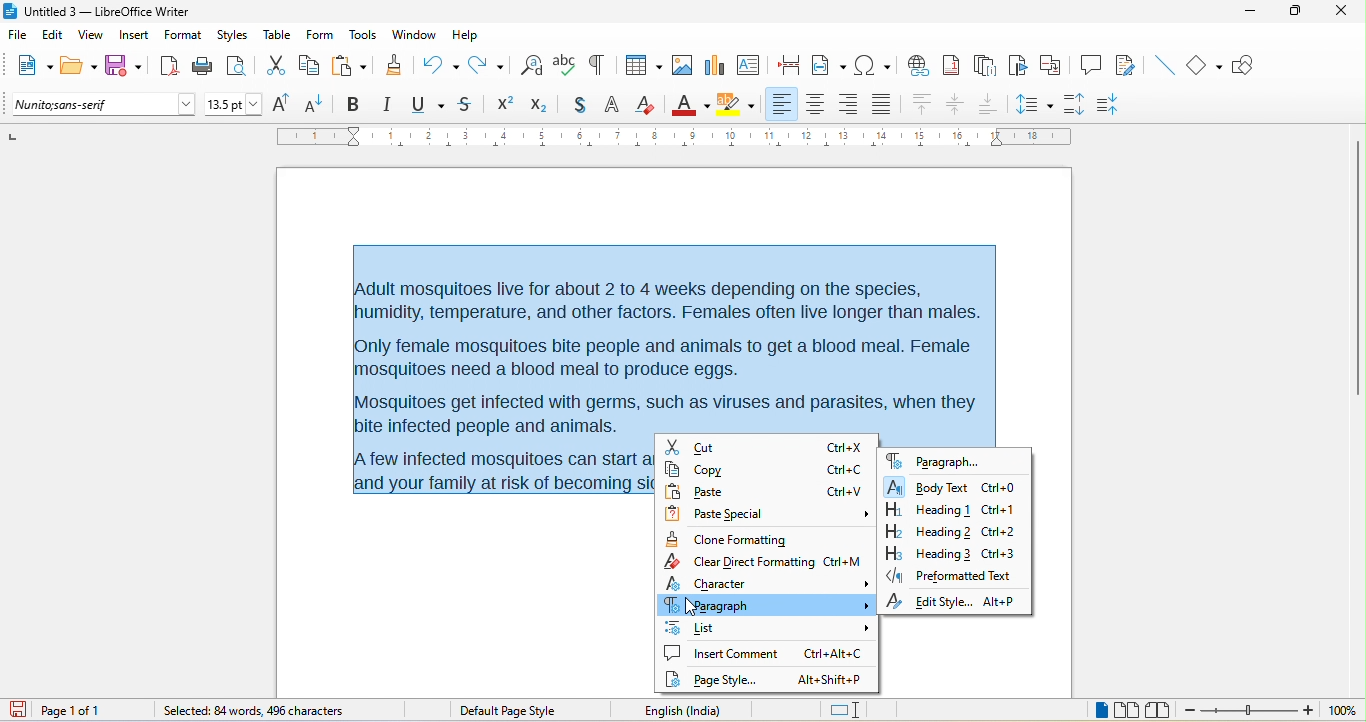 The width and height of the screenshot is (1366, 722). What do you see at coordinates (833, 652) in the screenshot?
I see `shortcut key` at bounding box center [833, 652].